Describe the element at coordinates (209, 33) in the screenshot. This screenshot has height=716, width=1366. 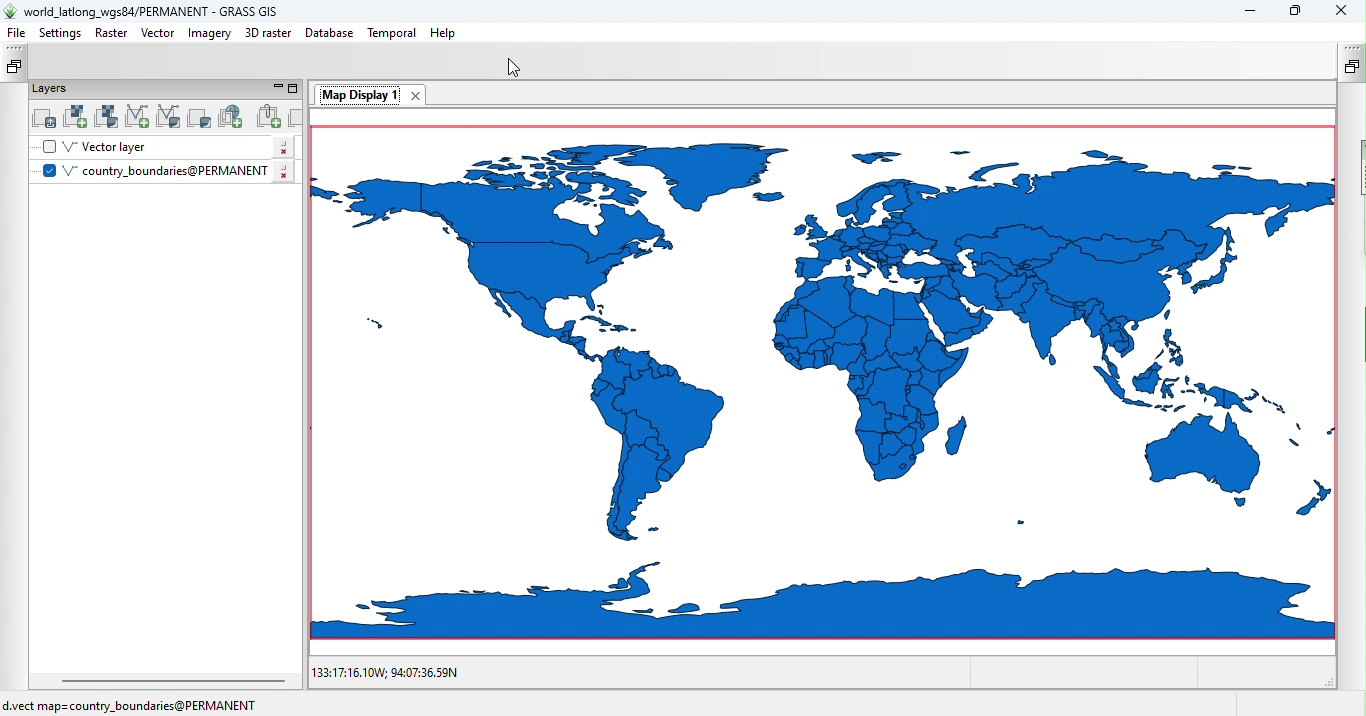
I see `Imagery` at that location.